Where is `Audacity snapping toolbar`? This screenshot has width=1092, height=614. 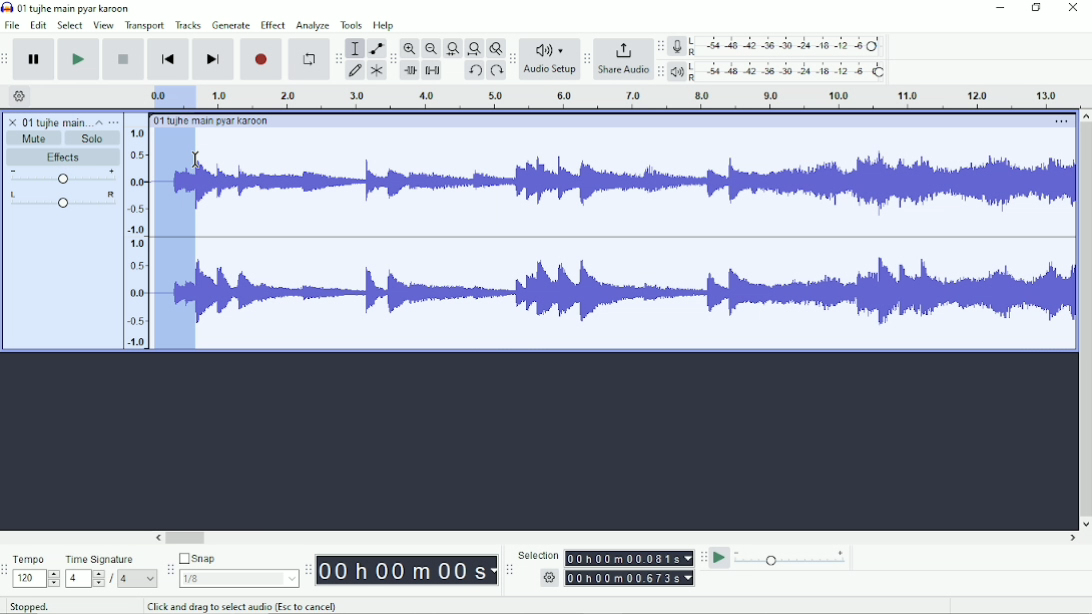
Audacity snapping toolbar is located at coordinates (169, 569).